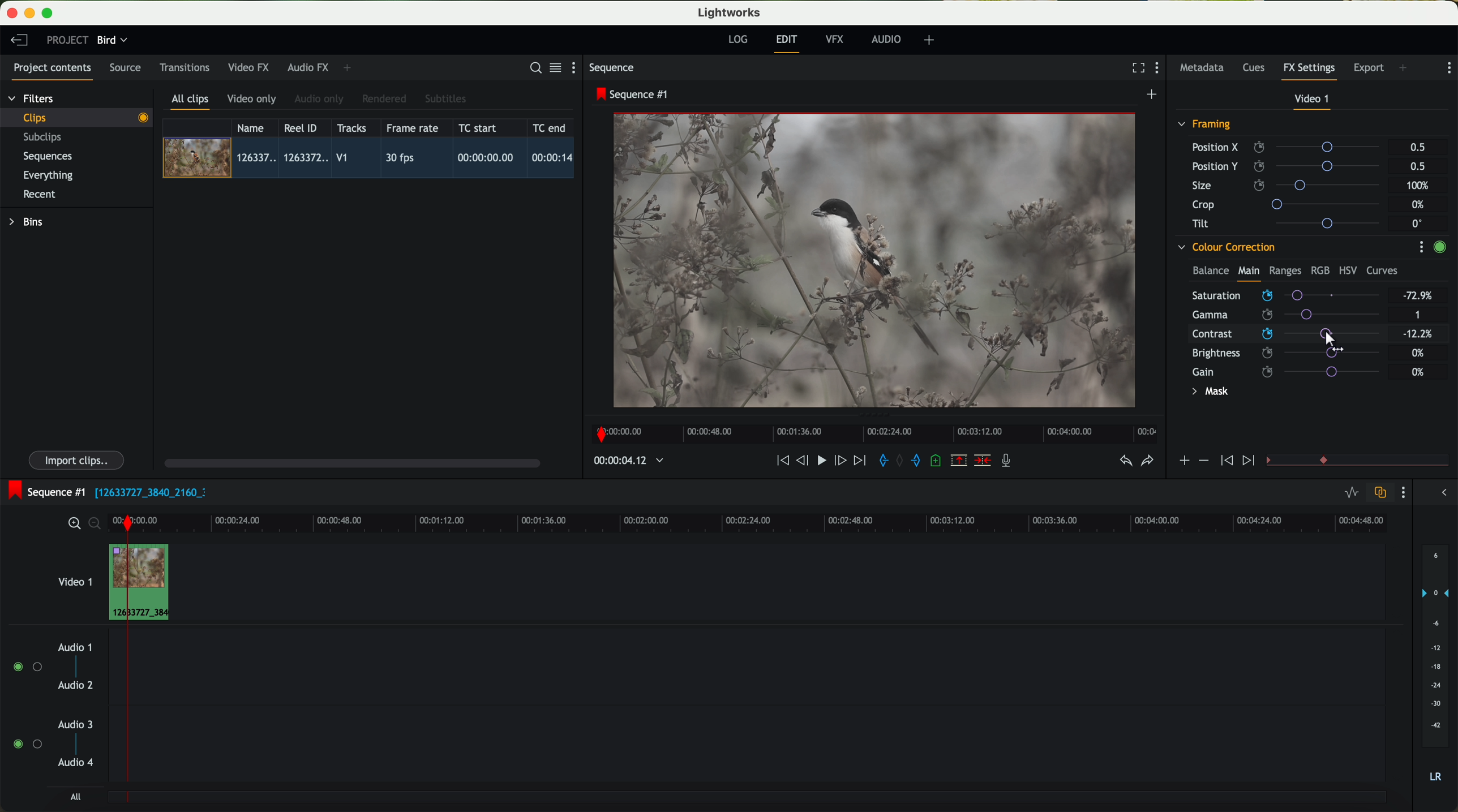  I want to click on sequence #1, so click(633, 94).